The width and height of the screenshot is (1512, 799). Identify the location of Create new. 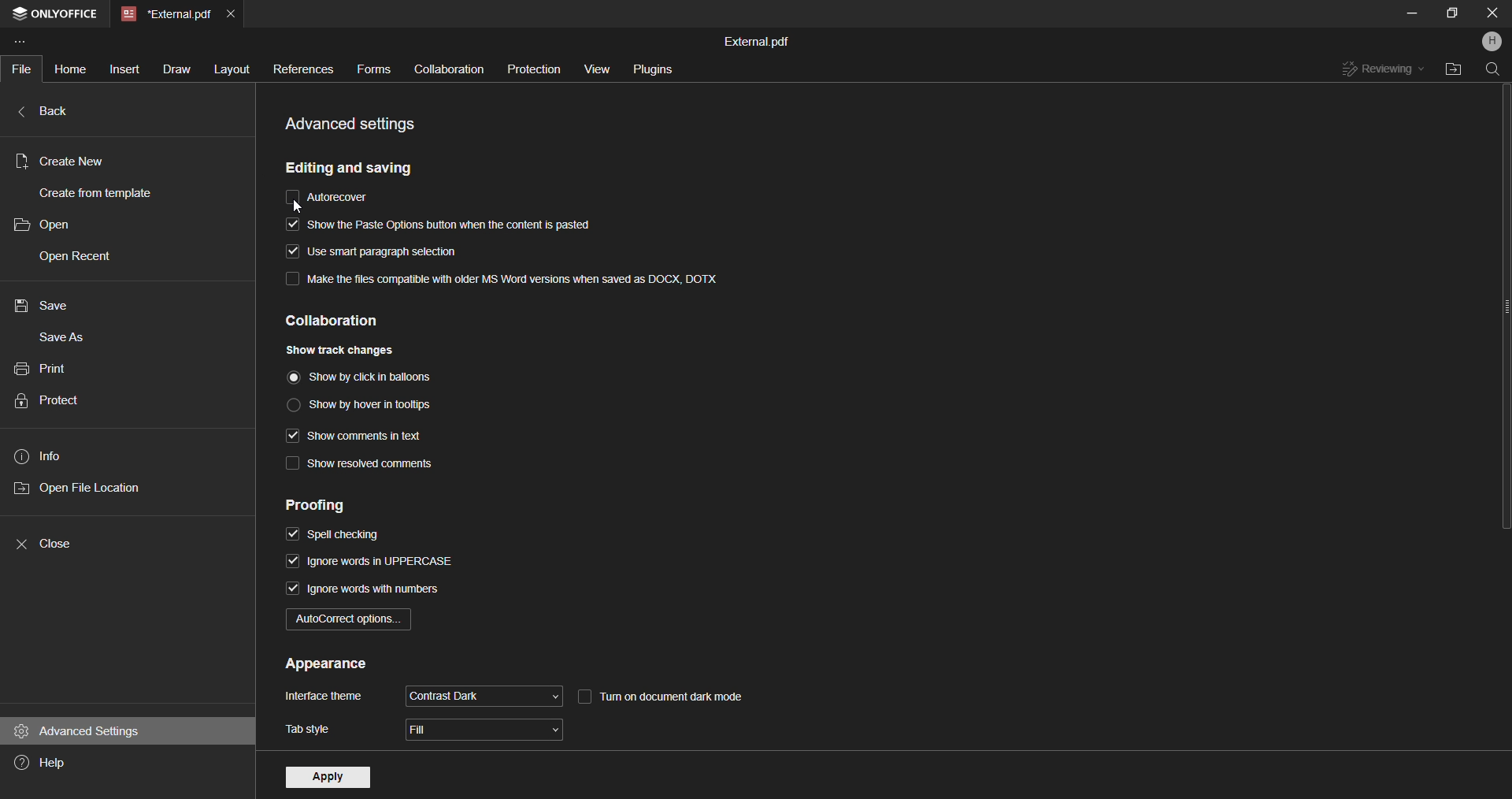
(61, 161).